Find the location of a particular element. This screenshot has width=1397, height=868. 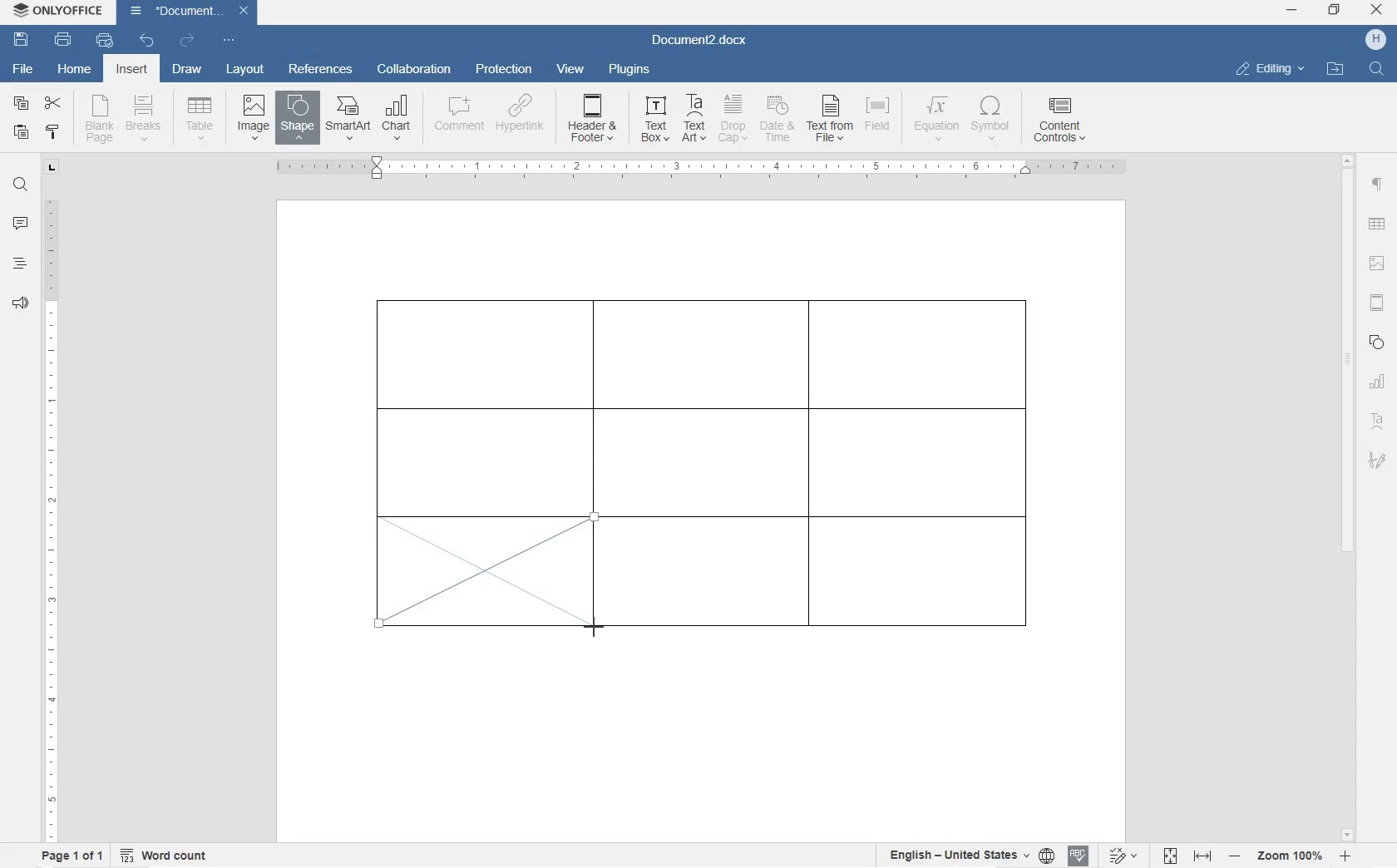

blank page is located at coordinates (97, 121).